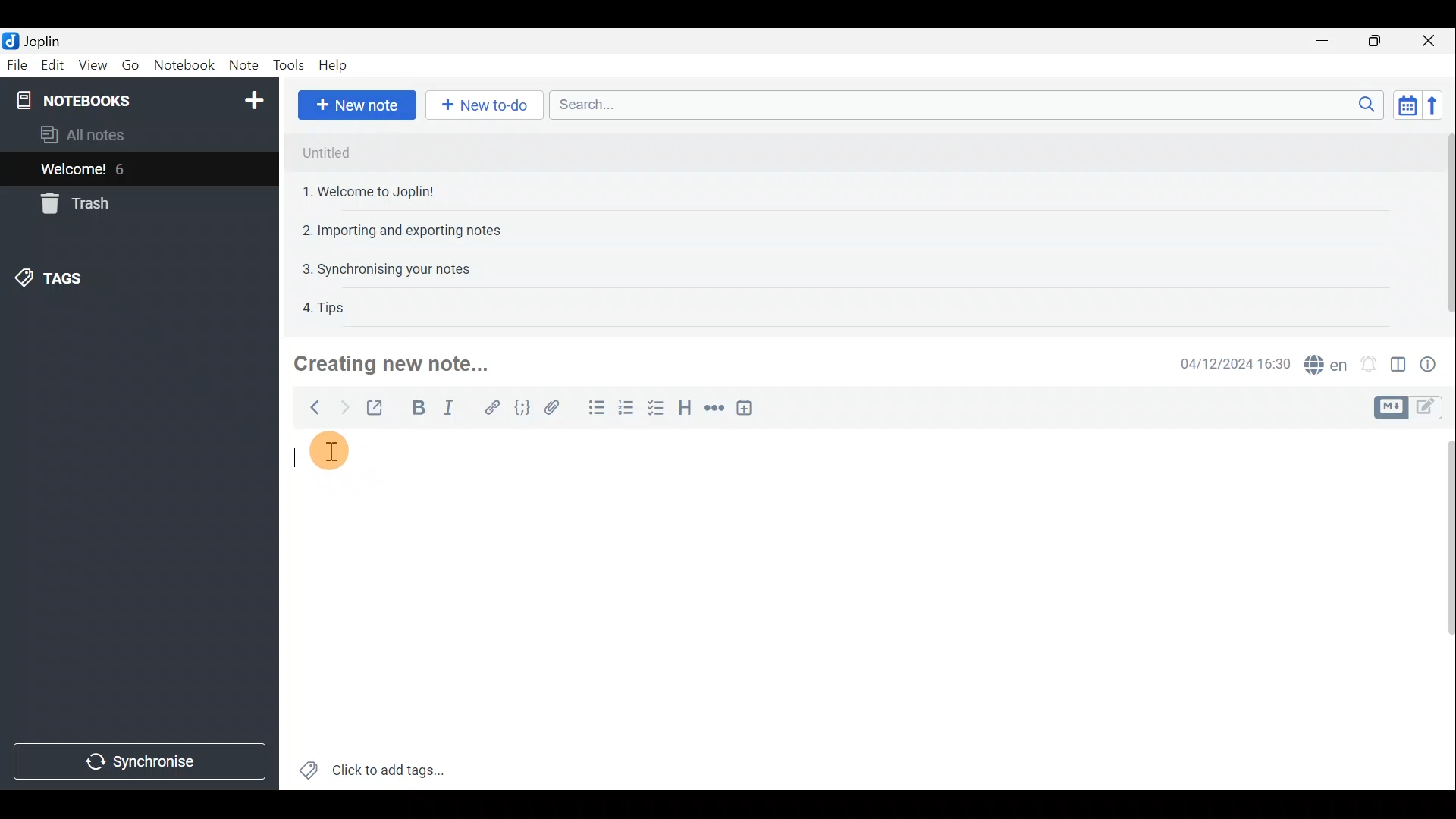  I want to click on Tools, so click(284, 63).